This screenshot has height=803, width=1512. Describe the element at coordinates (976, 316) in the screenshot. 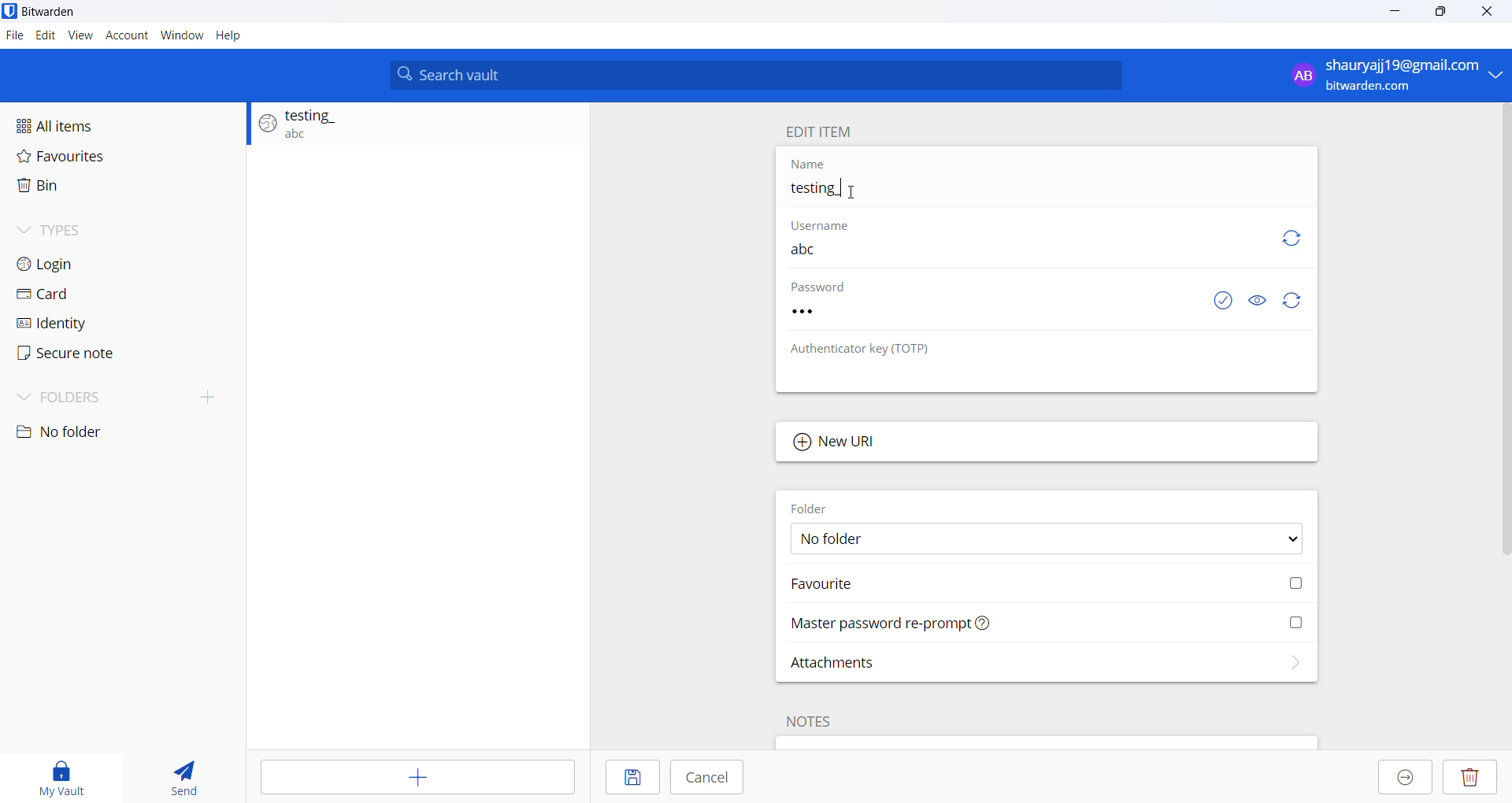

I see `Password input` at that location.